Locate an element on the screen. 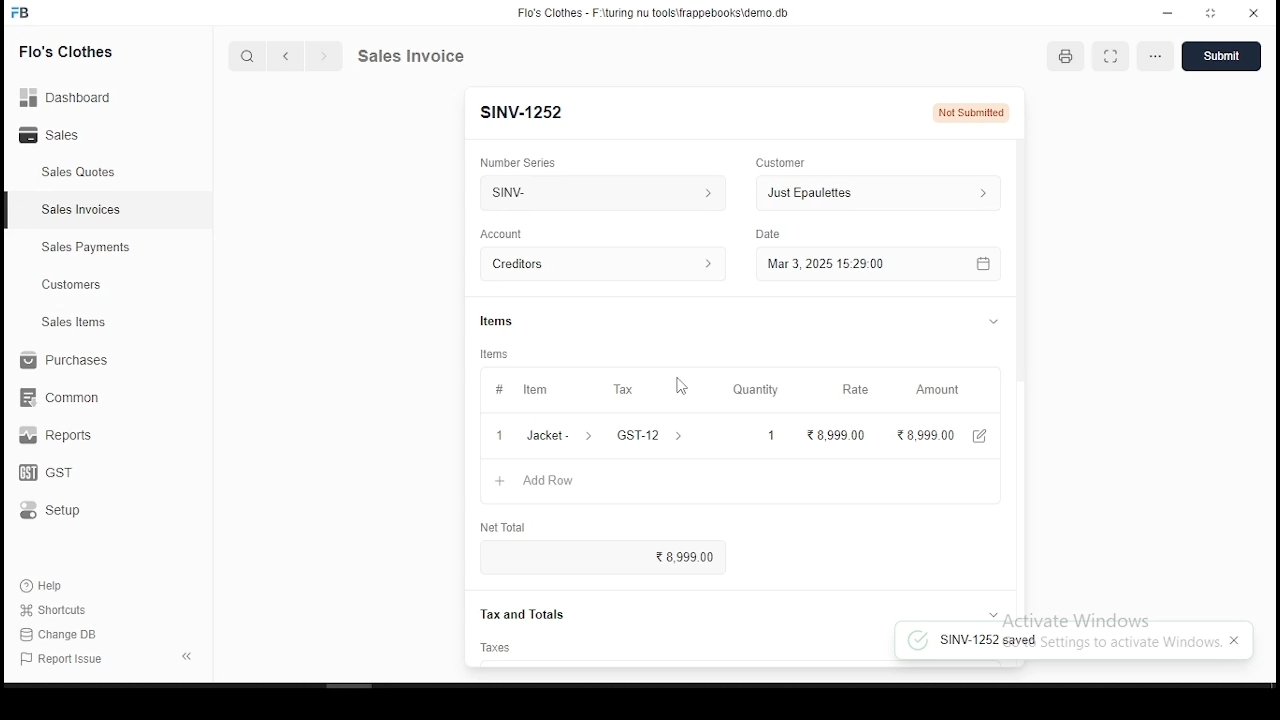 This screenshot has height=720, width=1280. SNV is located at coordinates (599, 193).